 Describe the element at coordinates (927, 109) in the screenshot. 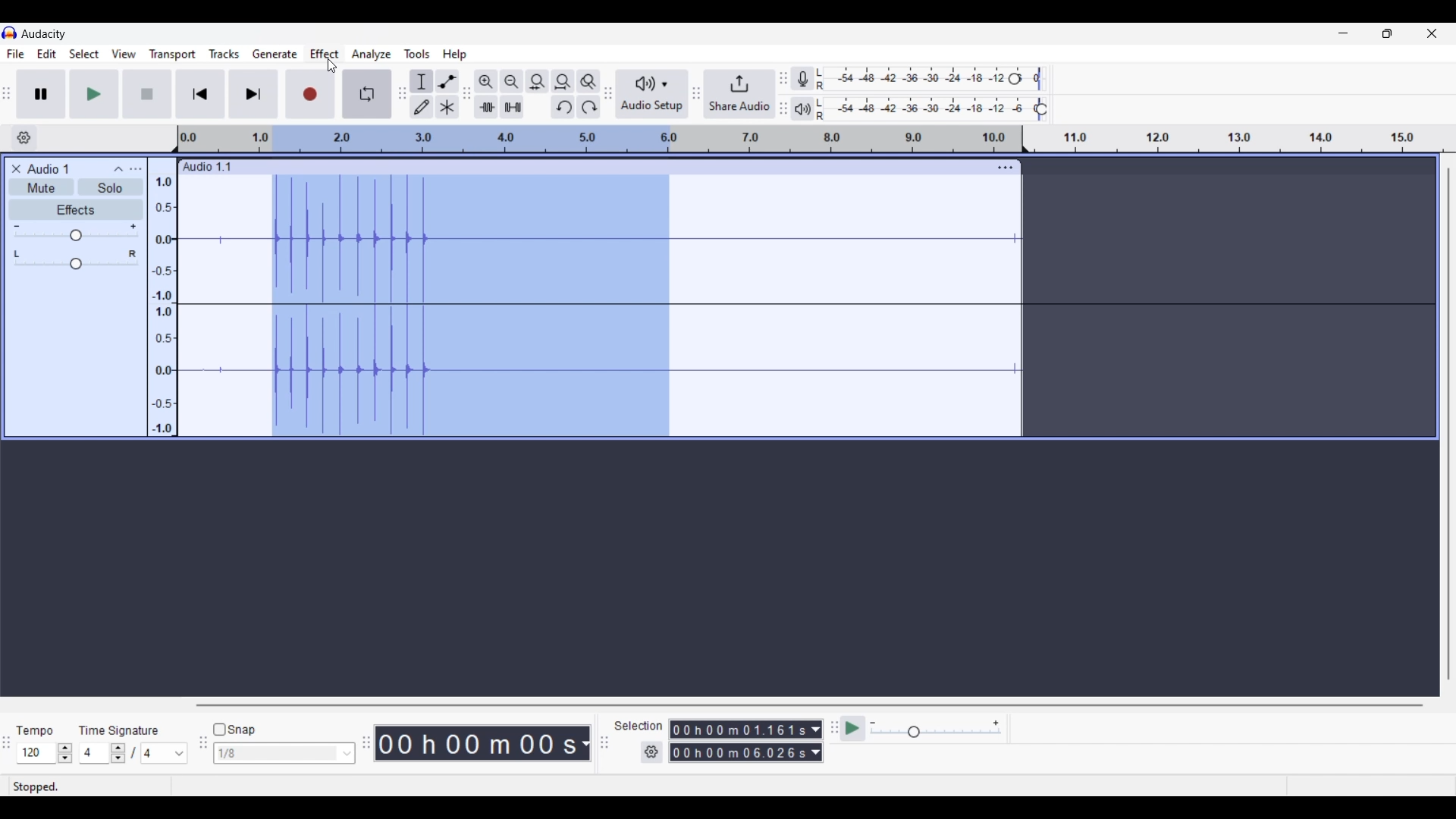

I see `Playback level` at that location.